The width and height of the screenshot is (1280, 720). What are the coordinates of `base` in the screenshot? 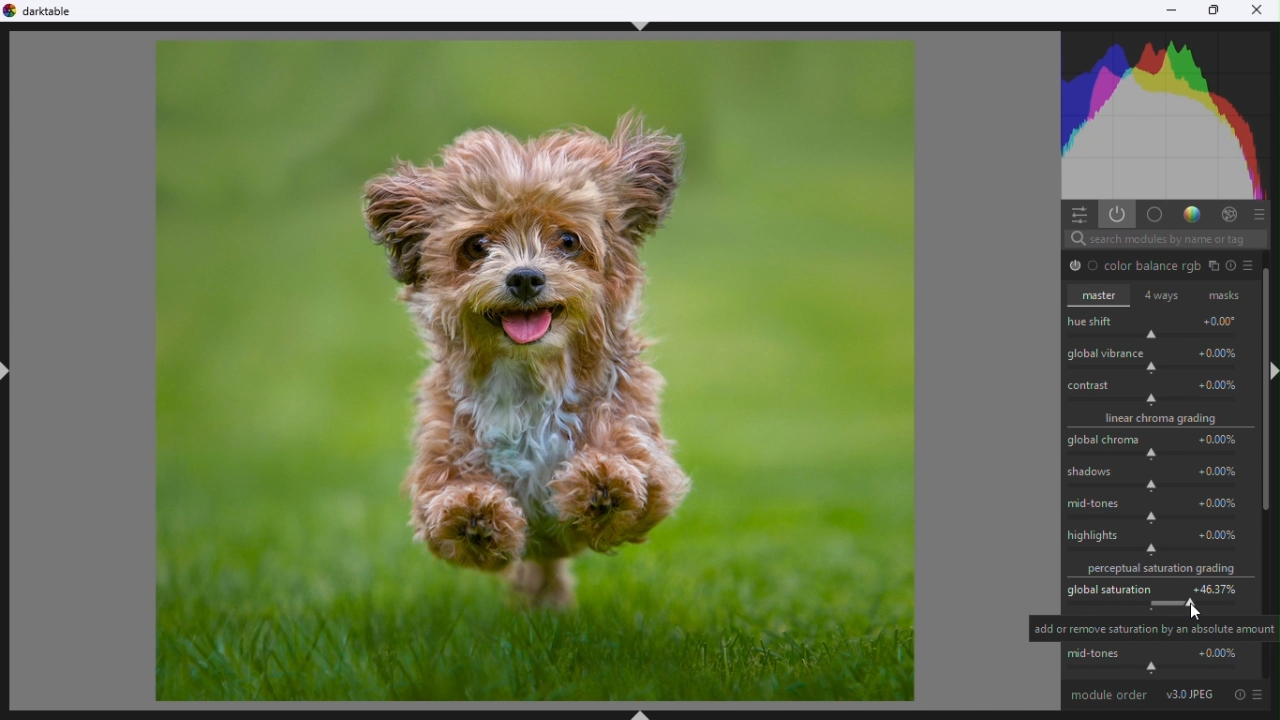 It's located at (1155, 215).